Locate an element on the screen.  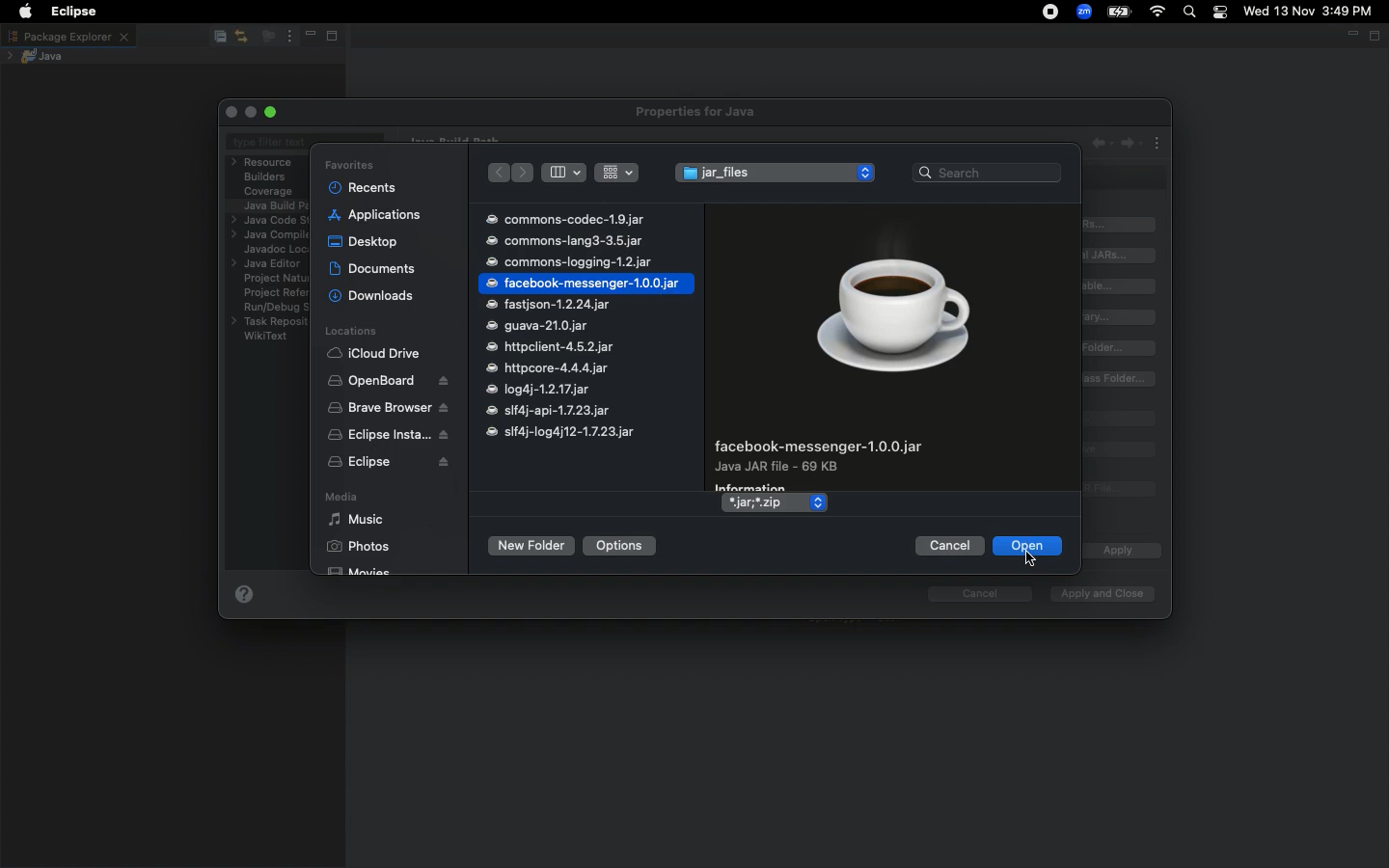
Properties for java is located at coordinates (698, 113).